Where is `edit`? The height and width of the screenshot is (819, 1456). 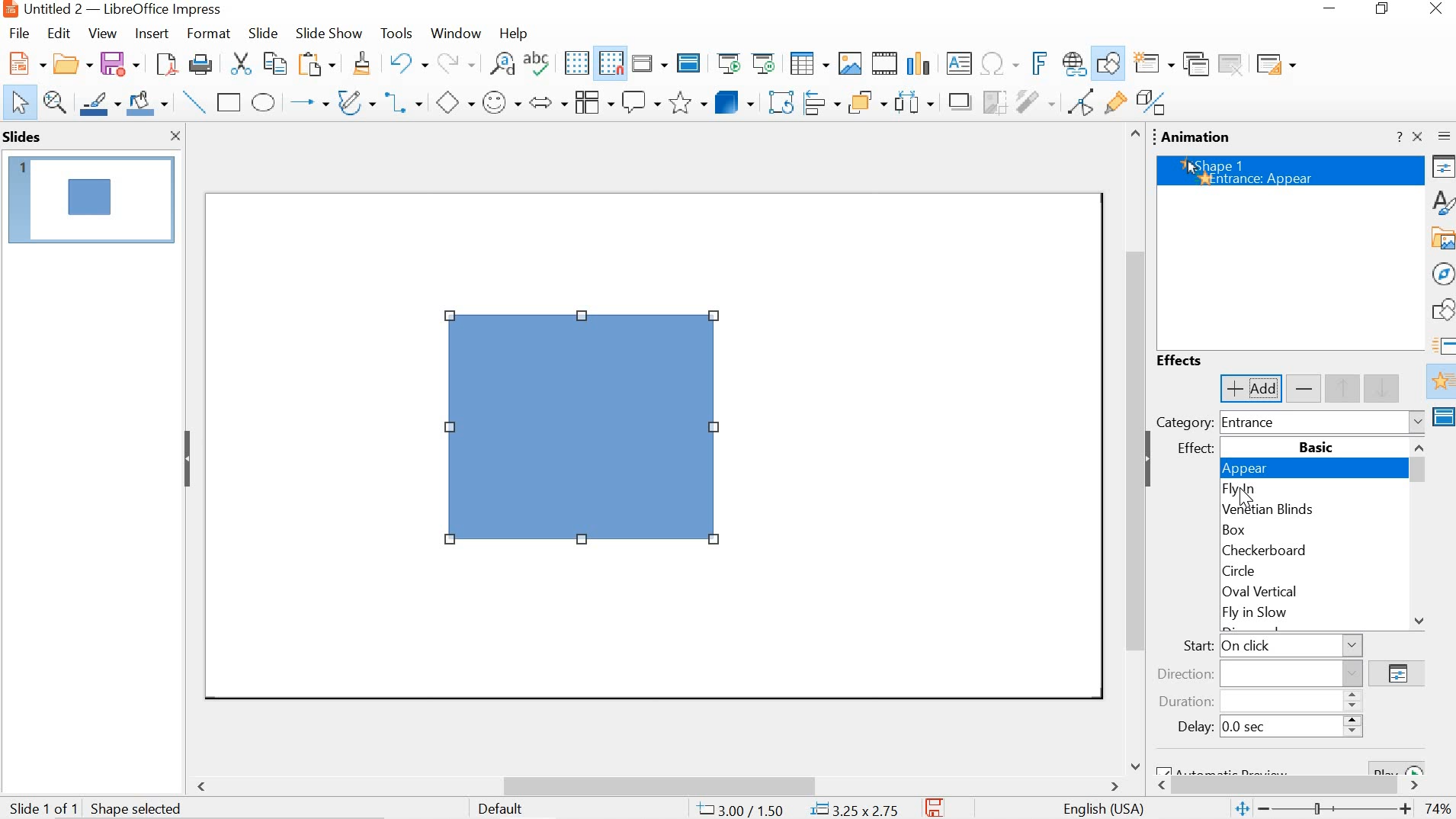
edit is located at coordinates (59, 35).